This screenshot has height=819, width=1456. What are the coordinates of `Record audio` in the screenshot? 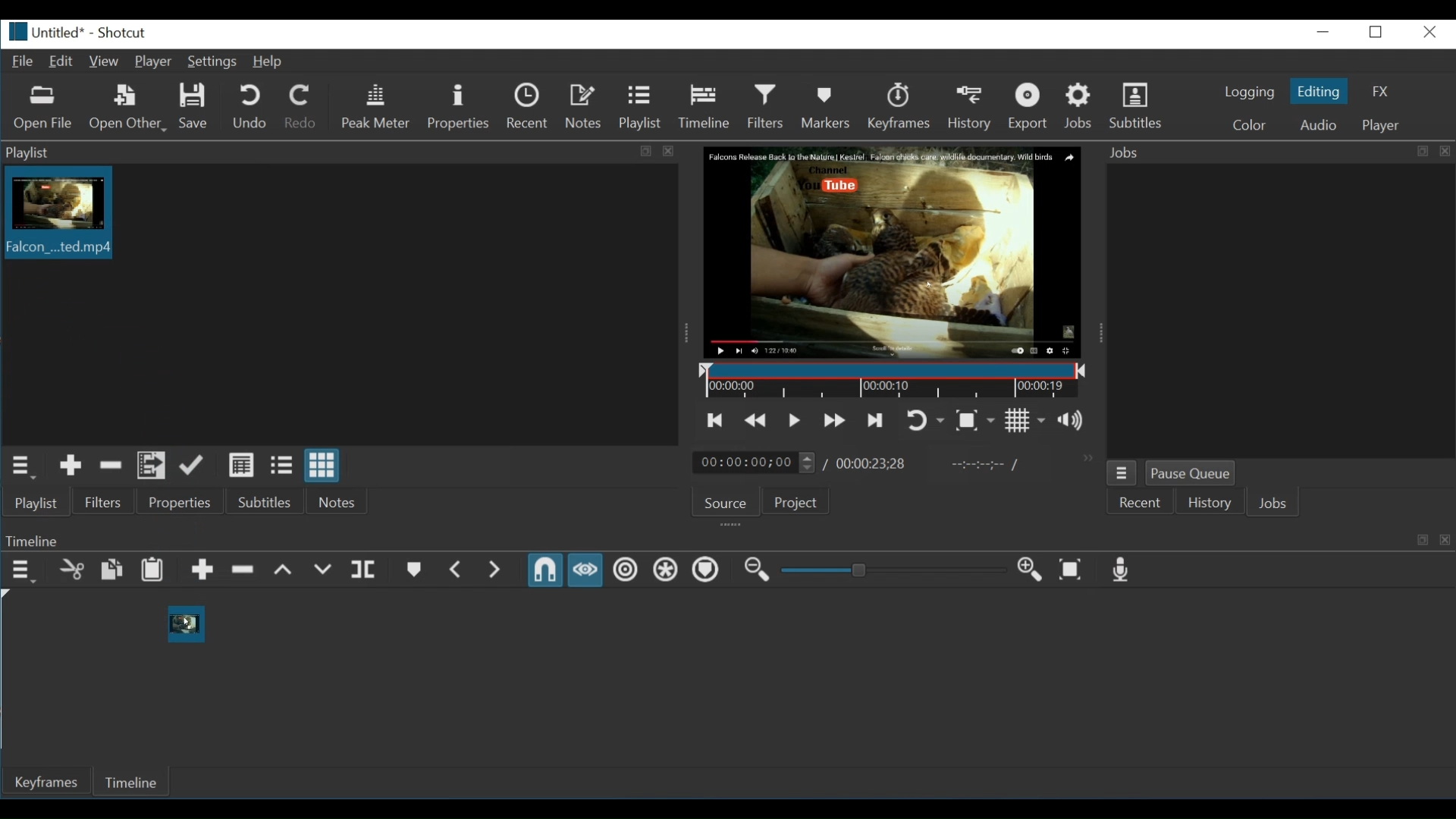 It's located at (1118, 570).